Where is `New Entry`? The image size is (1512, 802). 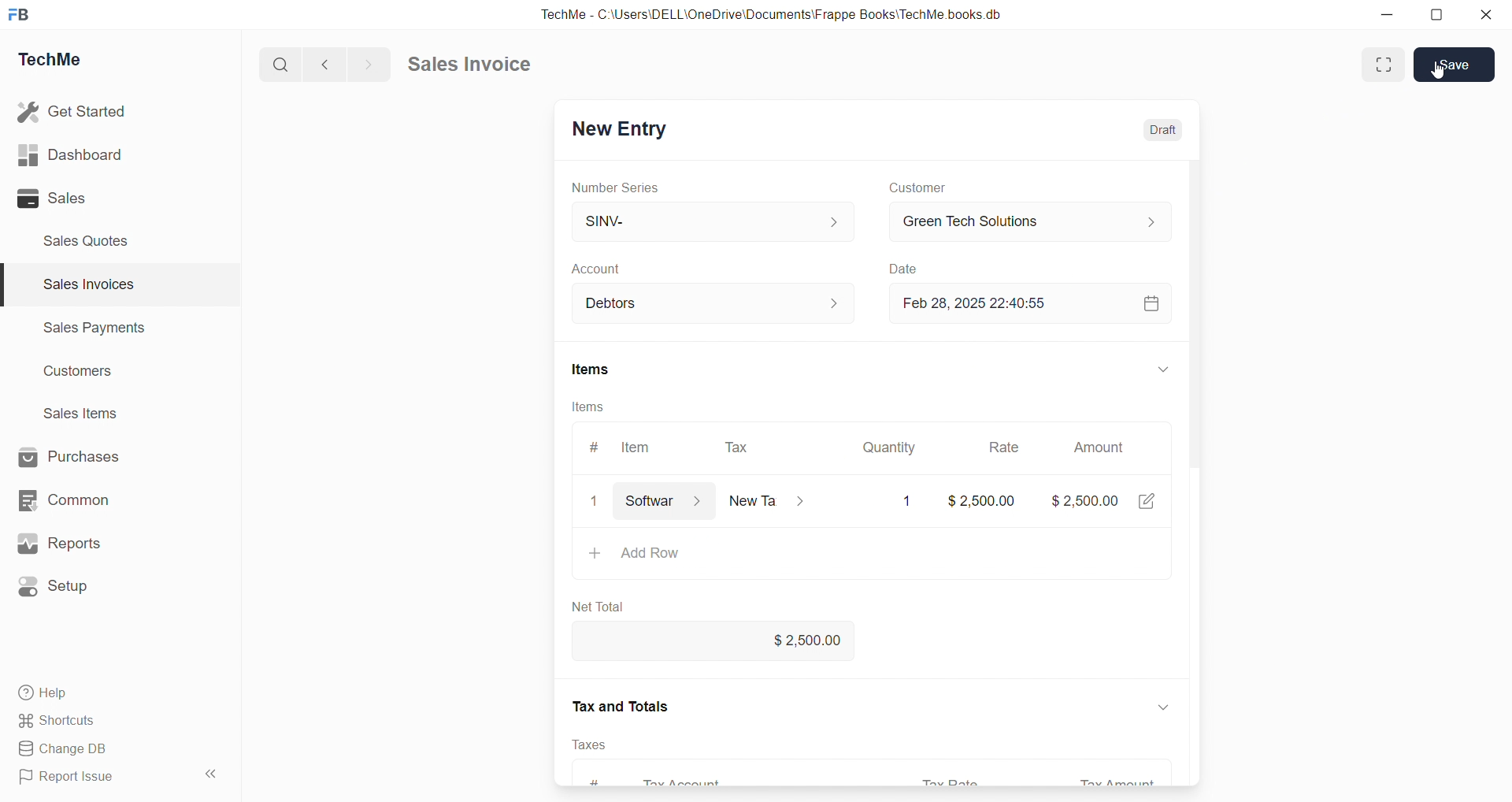
New Entry is located at coordinates (622, 130).